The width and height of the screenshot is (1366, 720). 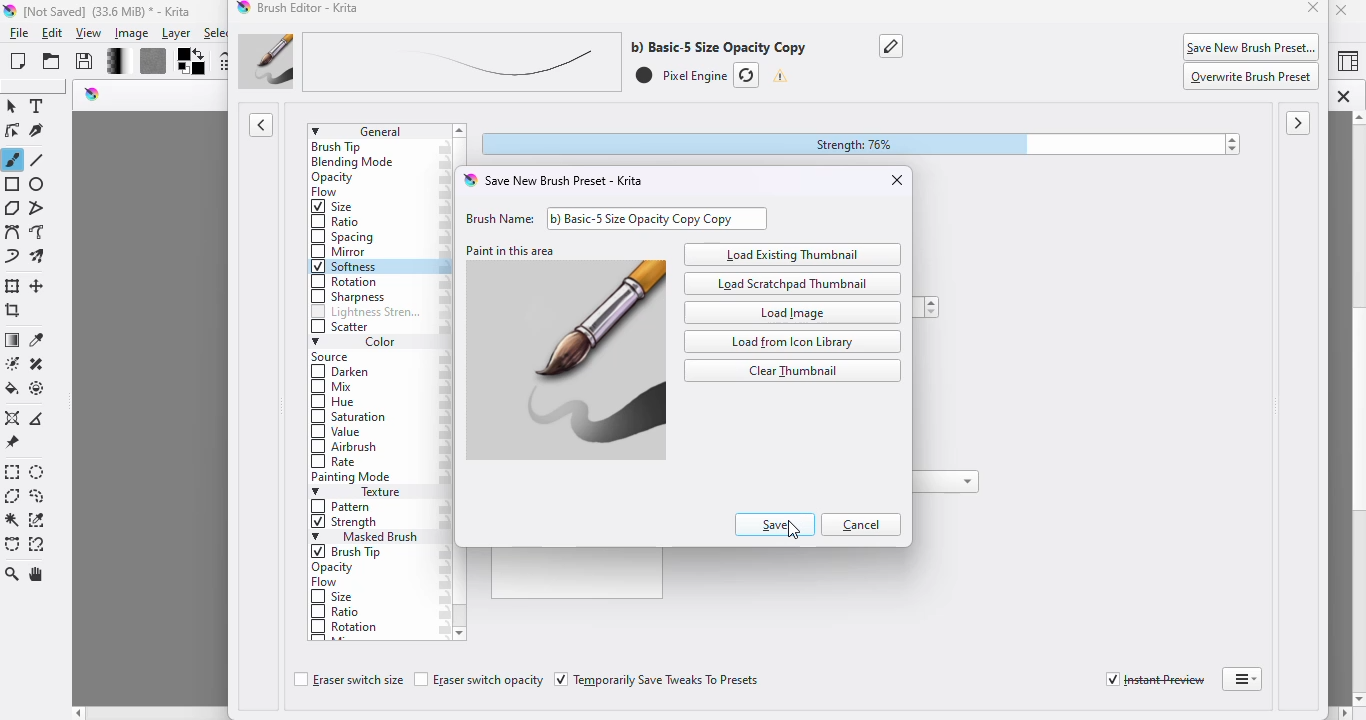 I want to click on toggle showing presets, so click(x=262, y=125).